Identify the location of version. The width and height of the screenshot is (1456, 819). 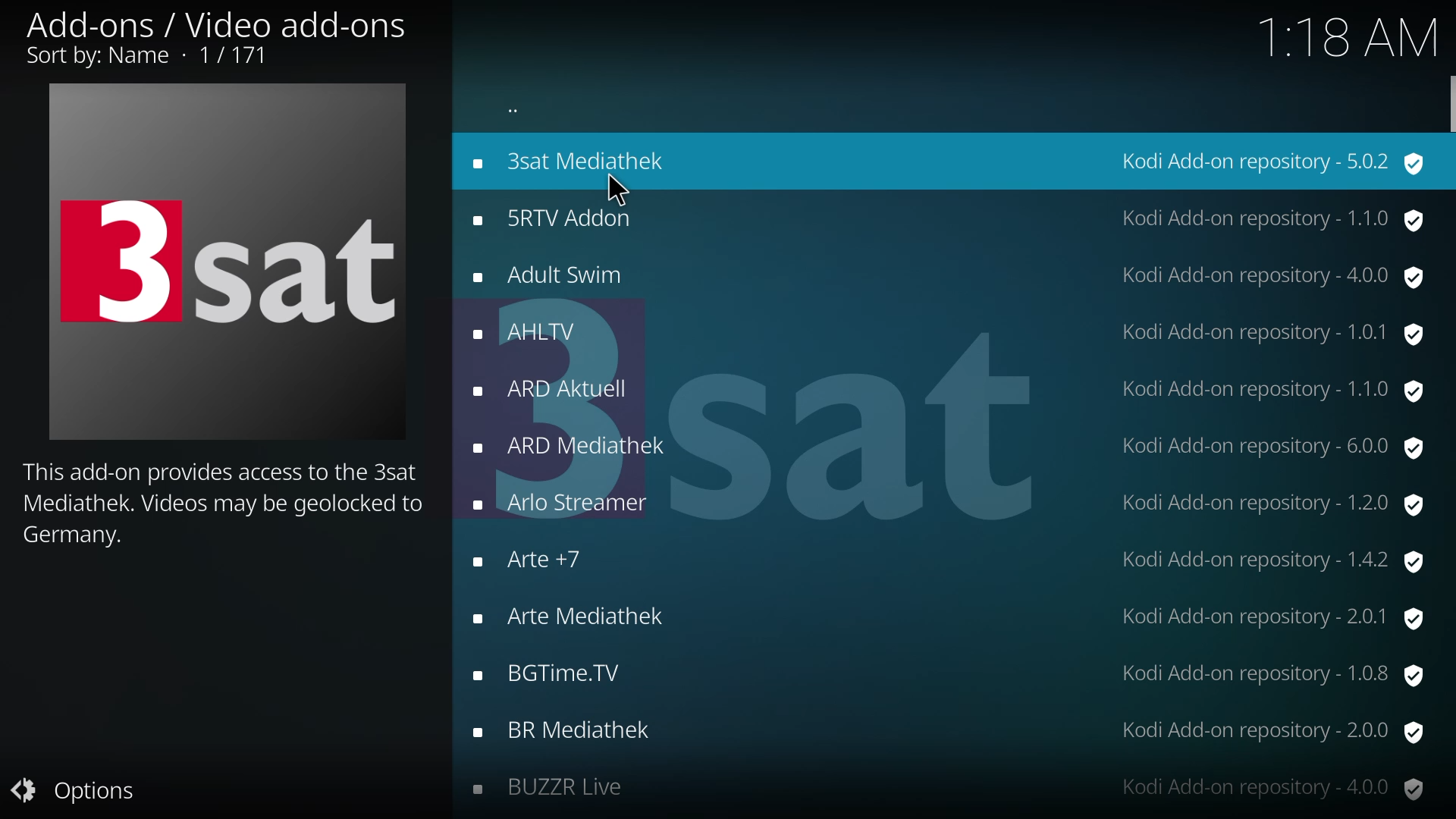
(1263, 503).